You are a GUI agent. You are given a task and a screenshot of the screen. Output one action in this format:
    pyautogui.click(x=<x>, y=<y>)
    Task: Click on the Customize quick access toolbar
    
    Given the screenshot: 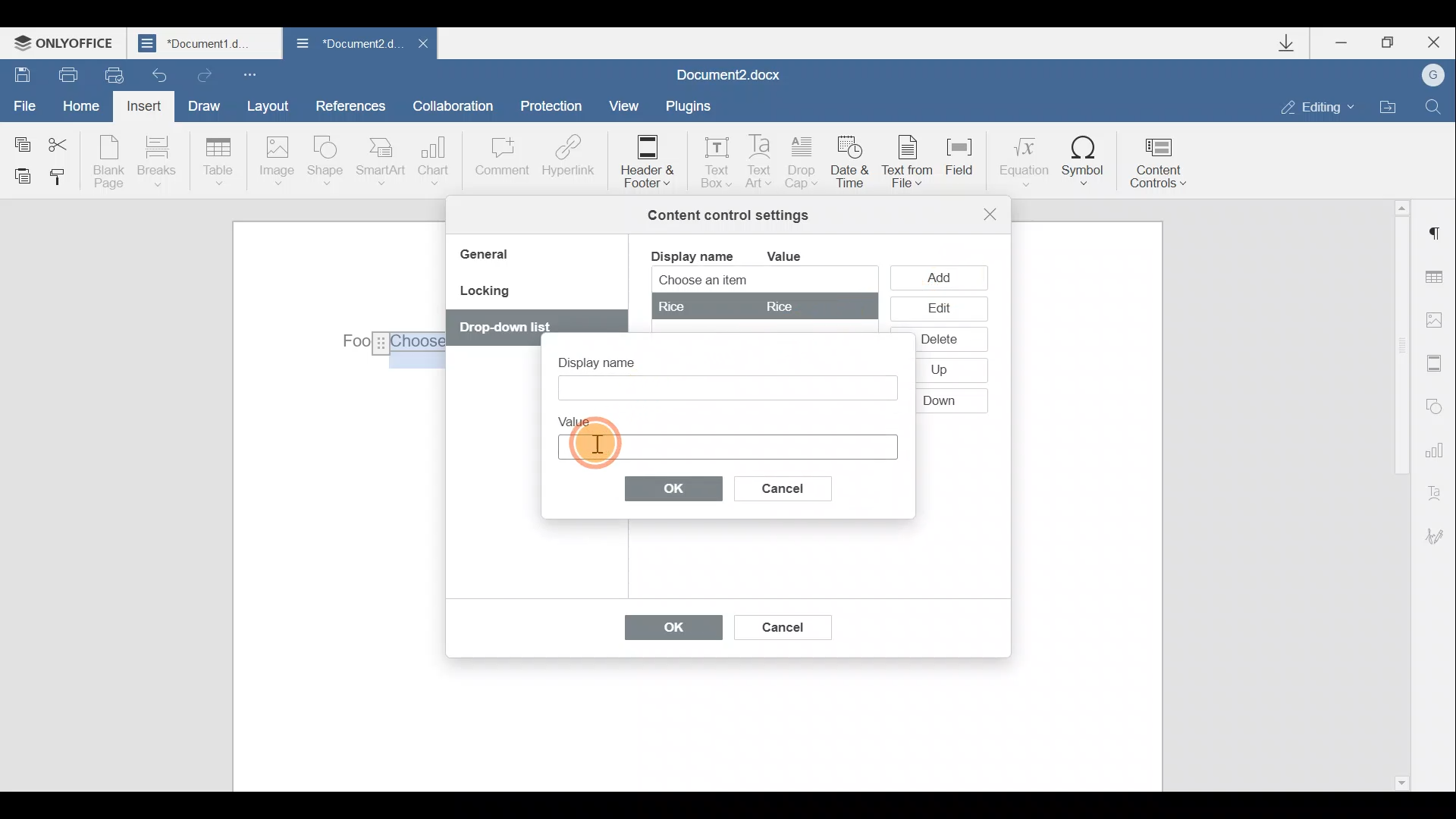 What is the action you would take?
    pyautogui.click(x=253, y=74)
    